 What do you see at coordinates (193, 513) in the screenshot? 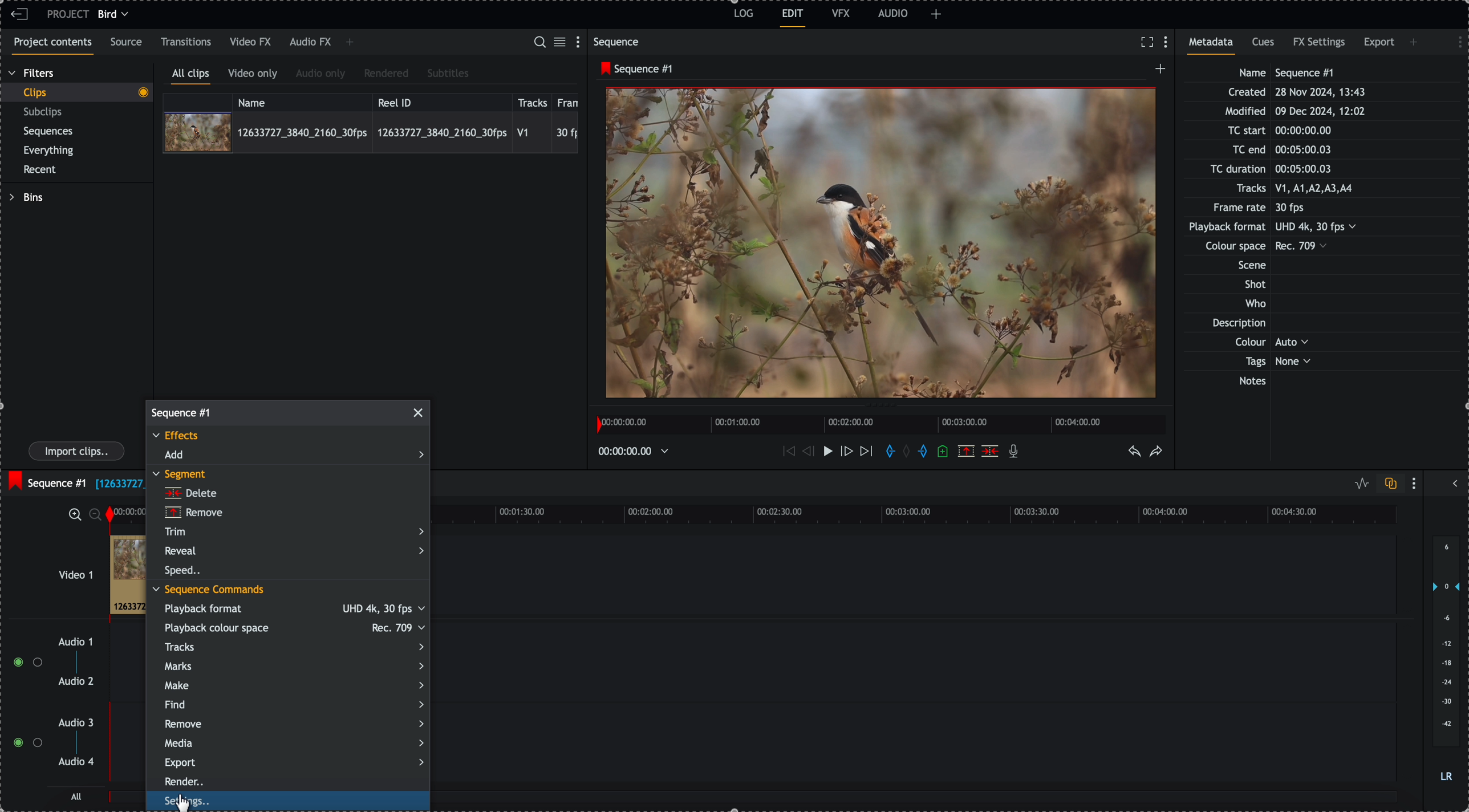
I see `remove` at bounding box center [193, 513].